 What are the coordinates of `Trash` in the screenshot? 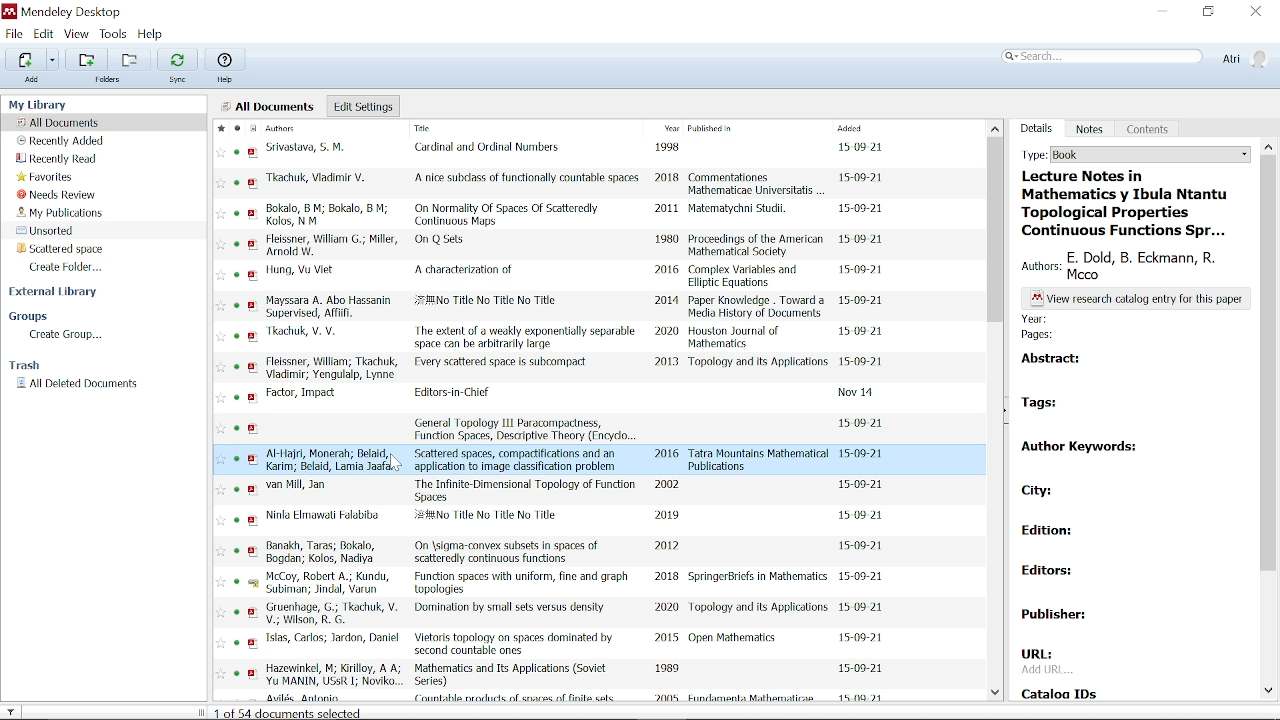 It's located at (30, 366).